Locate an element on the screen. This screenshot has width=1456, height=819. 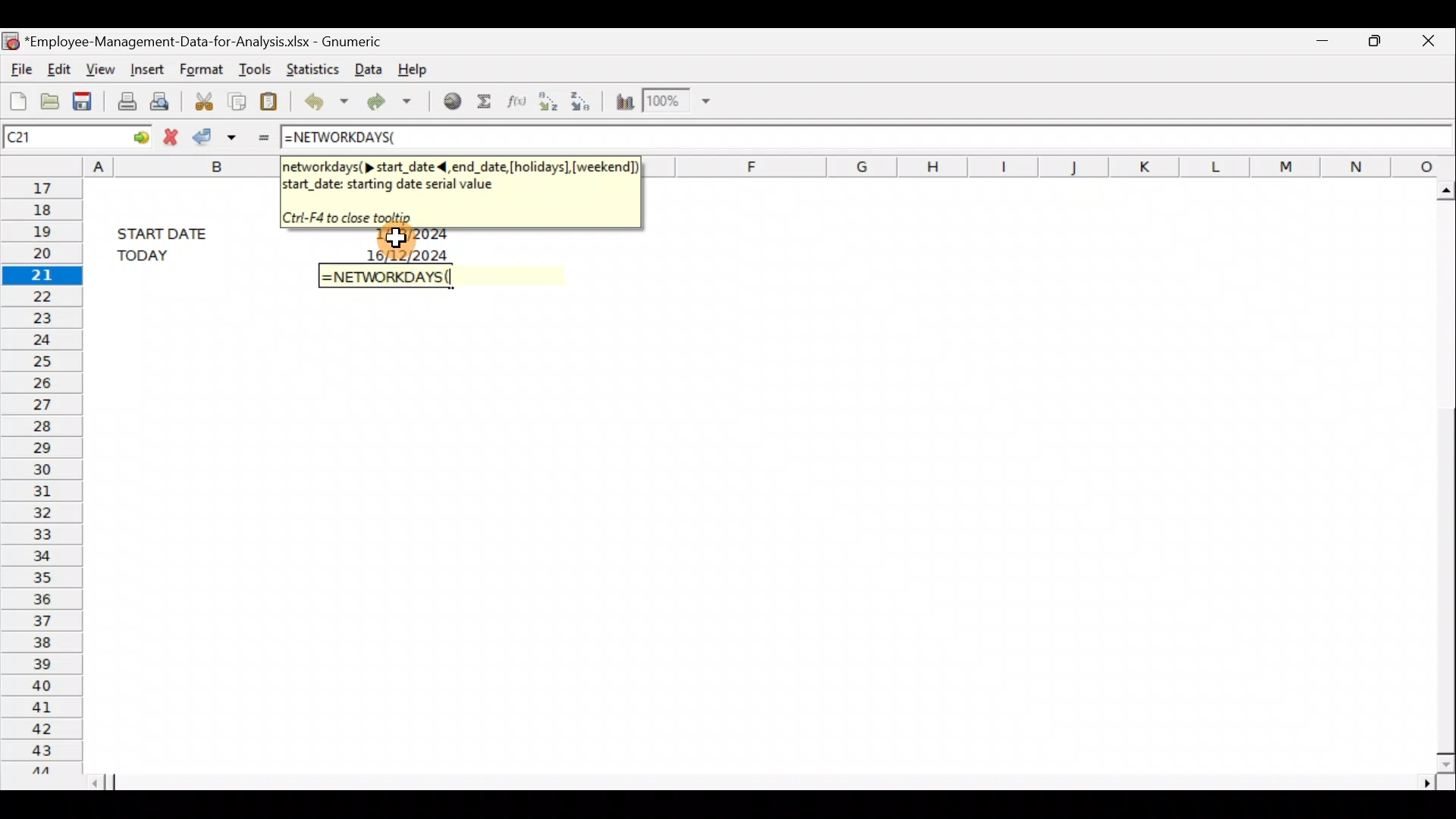
Rows is located at coordinates (39, 474).